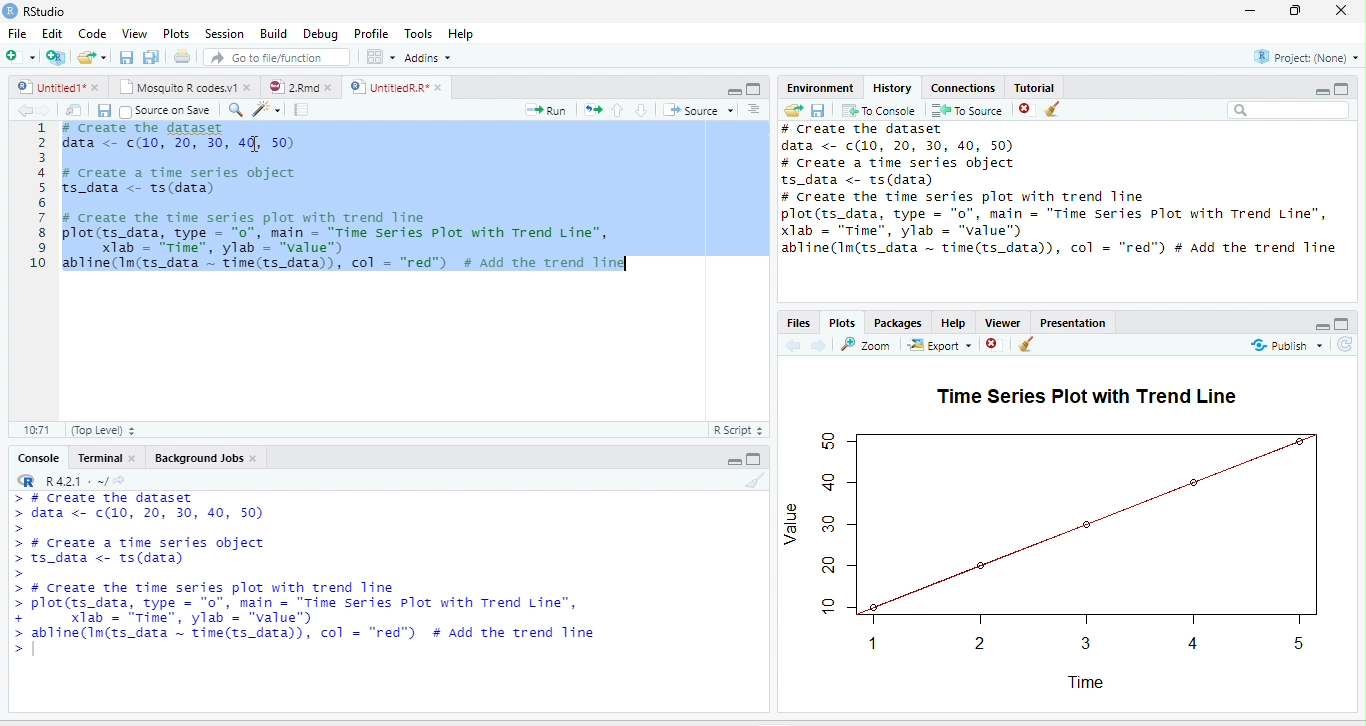 The image size is (1366, 726). I want to click on restore, so click(1296, 11).